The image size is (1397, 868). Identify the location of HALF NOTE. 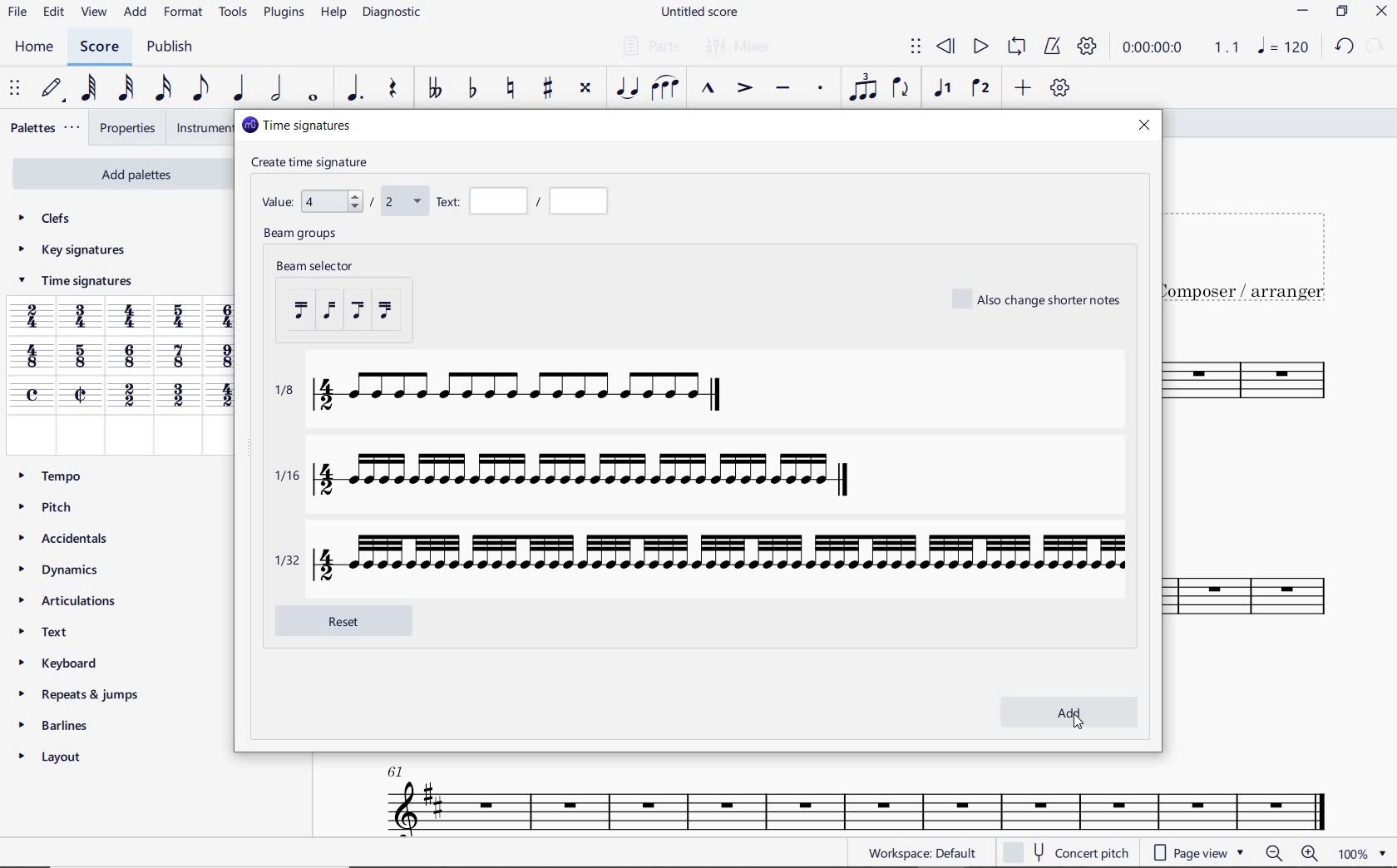
(275, 89).